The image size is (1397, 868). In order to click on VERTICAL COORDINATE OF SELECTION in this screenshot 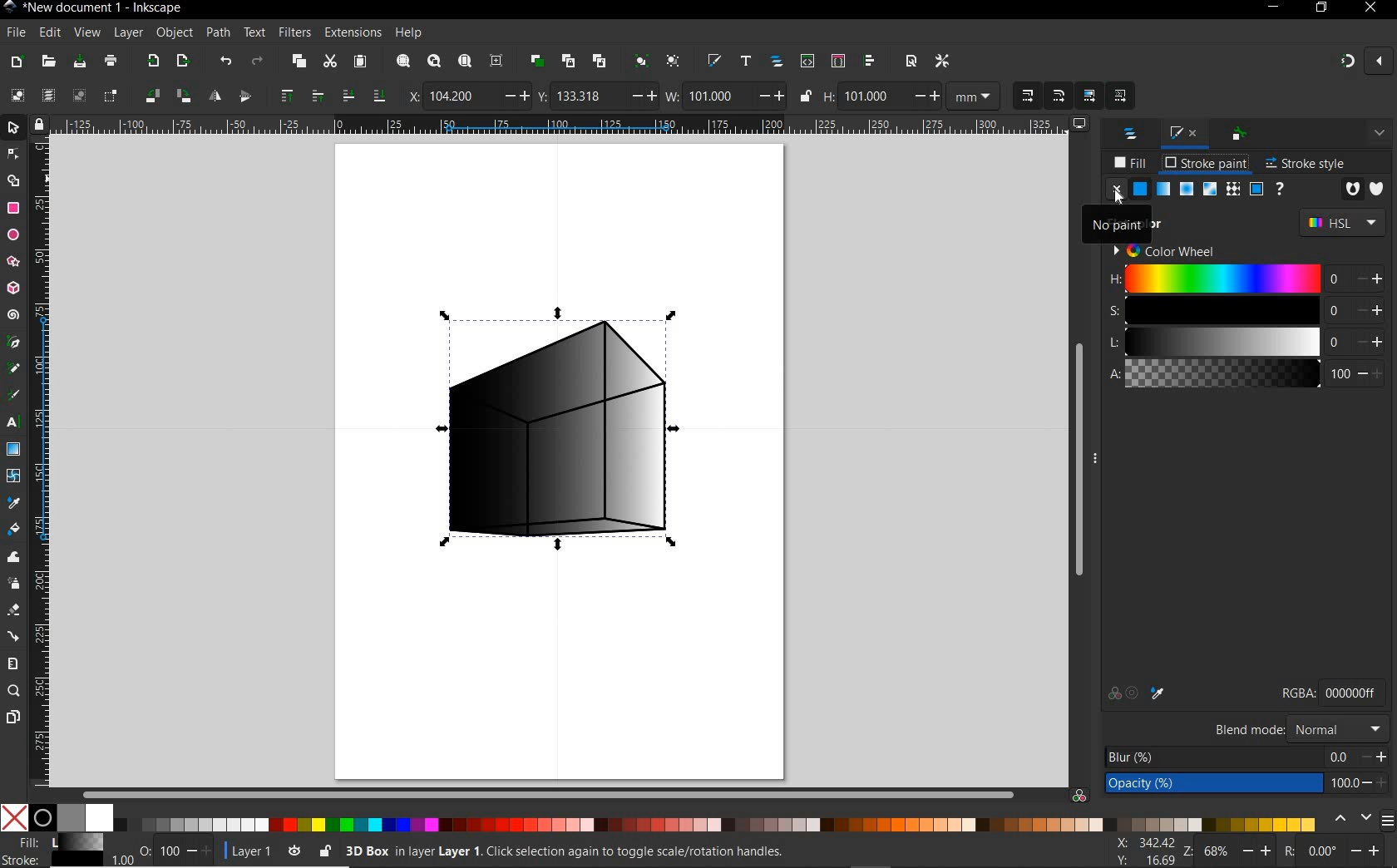, I will do `click(543, 95)`.